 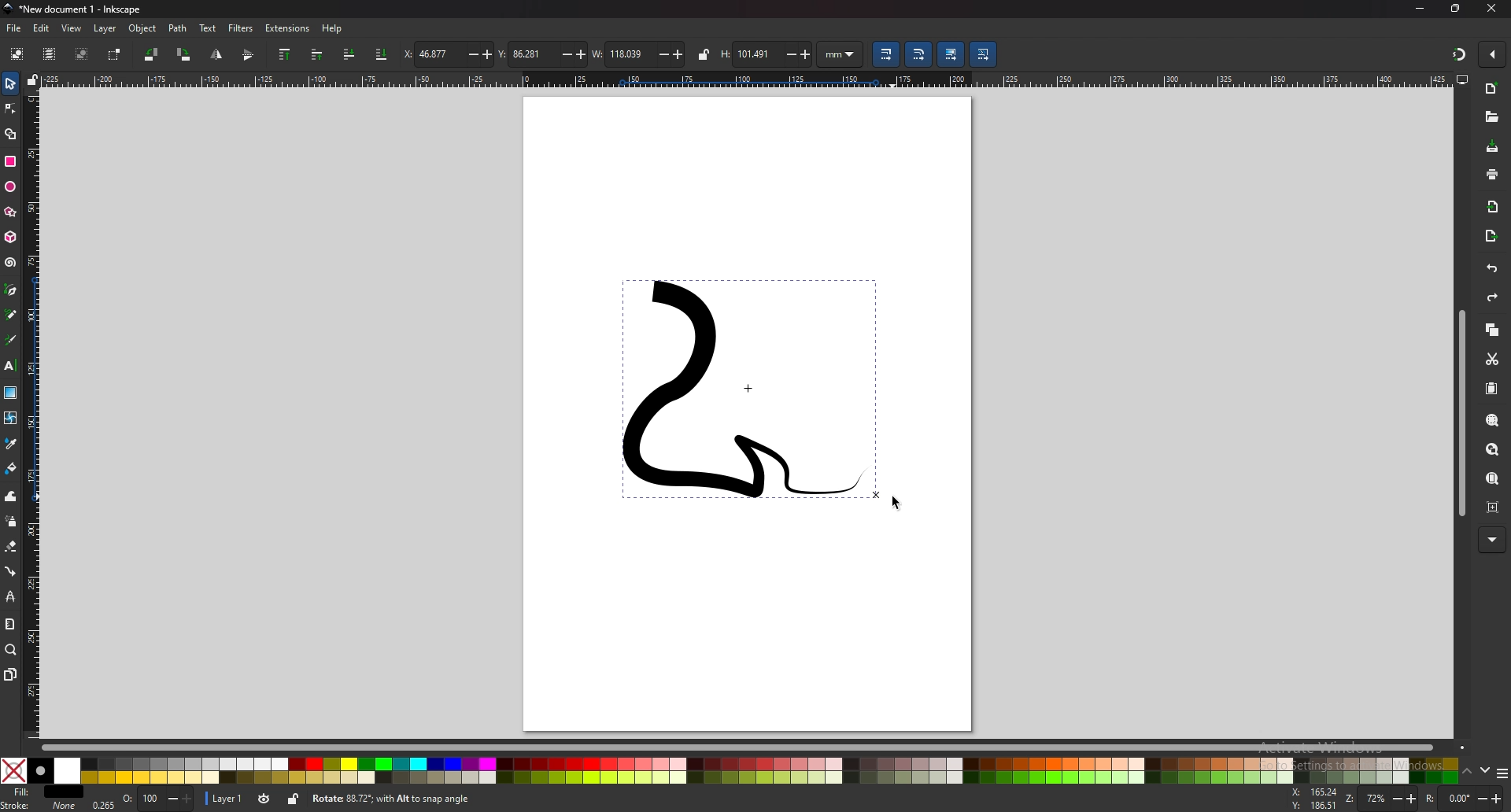 I want to click on ellipse, so click(x=10, y=187).